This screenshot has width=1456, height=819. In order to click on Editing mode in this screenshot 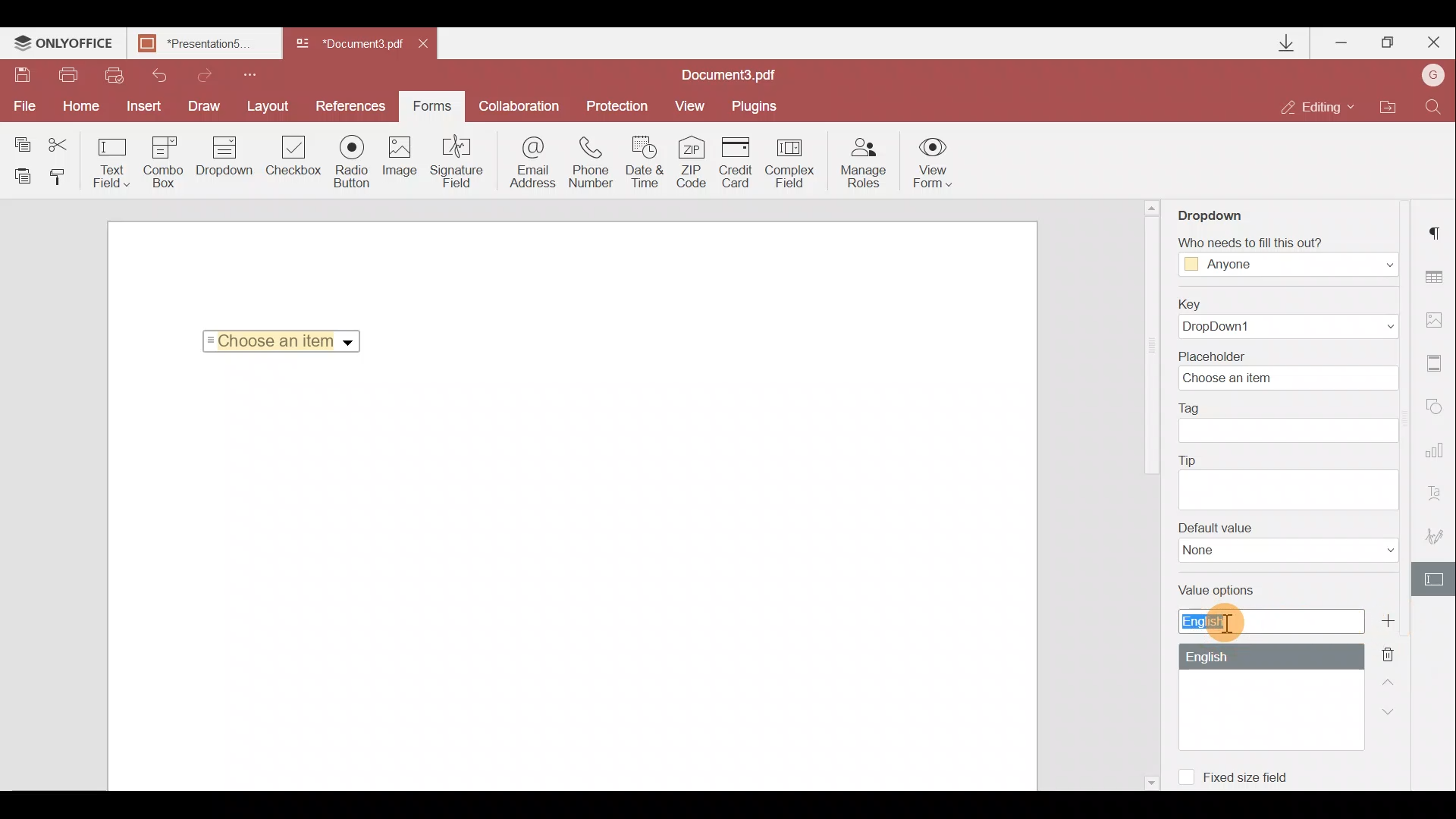, I will do `click(1318, 106)`.